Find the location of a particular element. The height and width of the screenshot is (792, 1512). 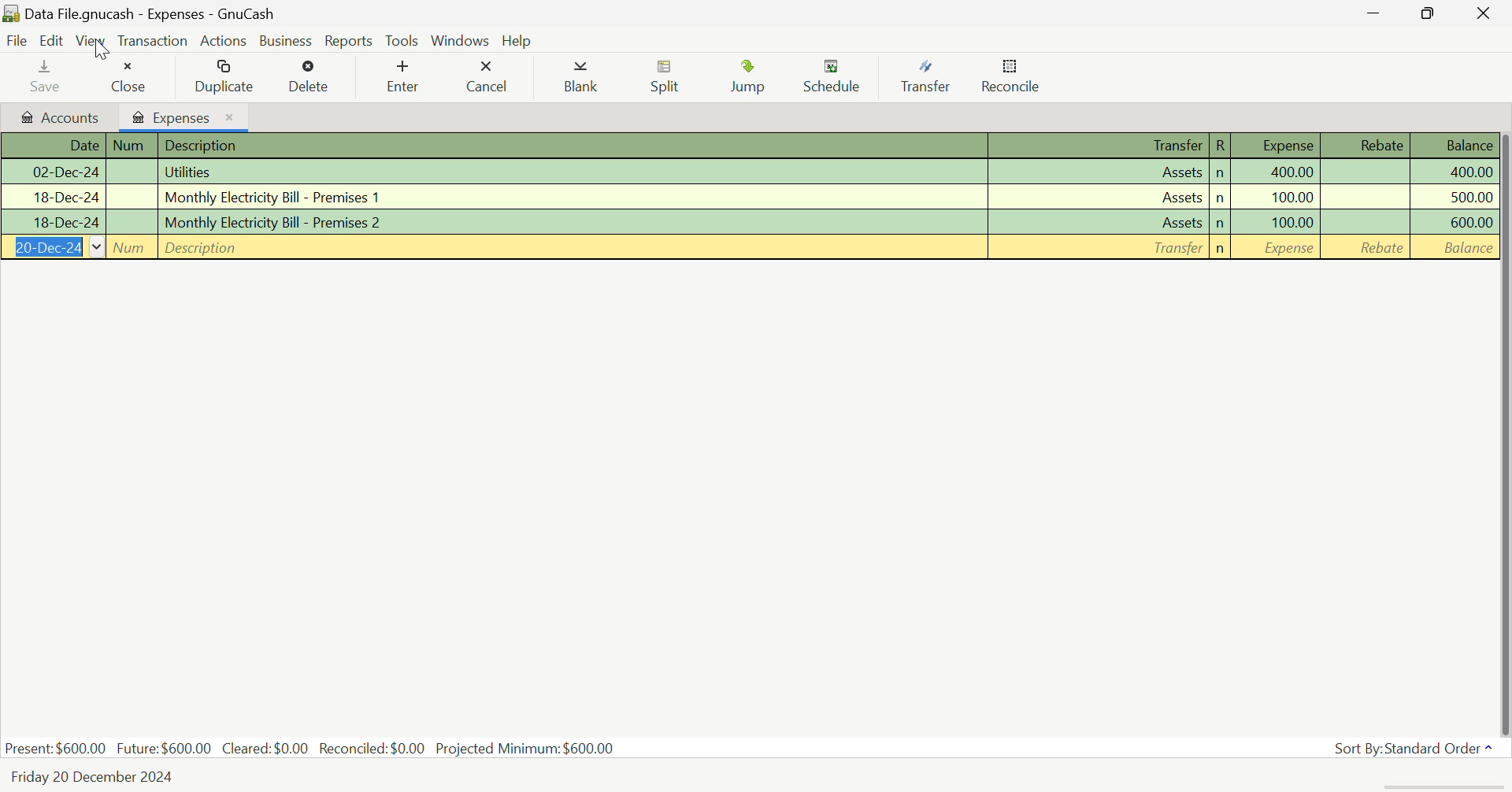

Data File.gnucash - Expenses - GnuCash is located at coordinates (141, 13).